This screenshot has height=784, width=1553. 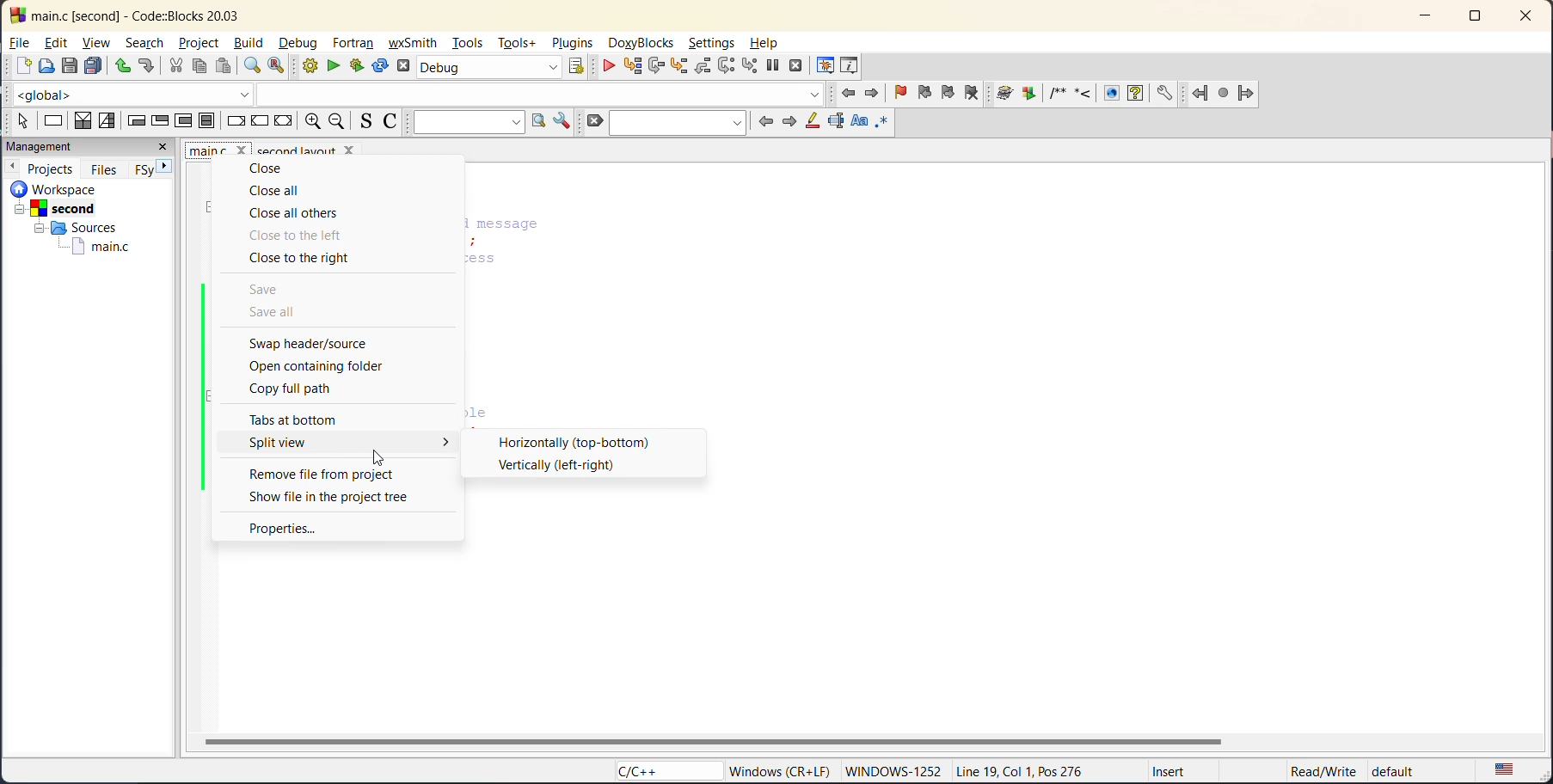 What do you see at coordinates (860, 122) in the screenshot?
I see `match case` at bounding box center [860, 122].